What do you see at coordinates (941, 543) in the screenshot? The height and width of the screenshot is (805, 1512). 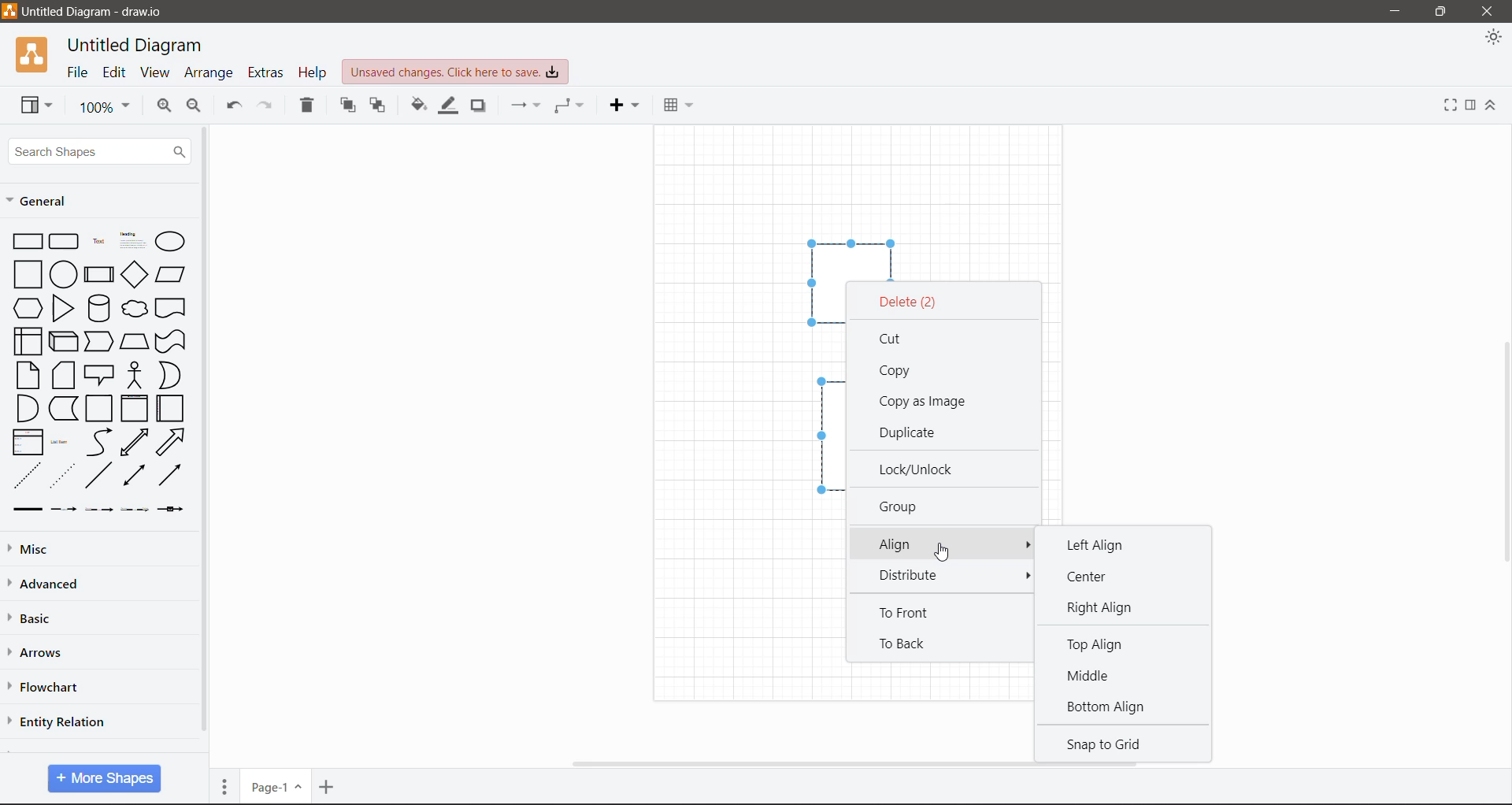 I see `Align` at bounding box center [941, 543].